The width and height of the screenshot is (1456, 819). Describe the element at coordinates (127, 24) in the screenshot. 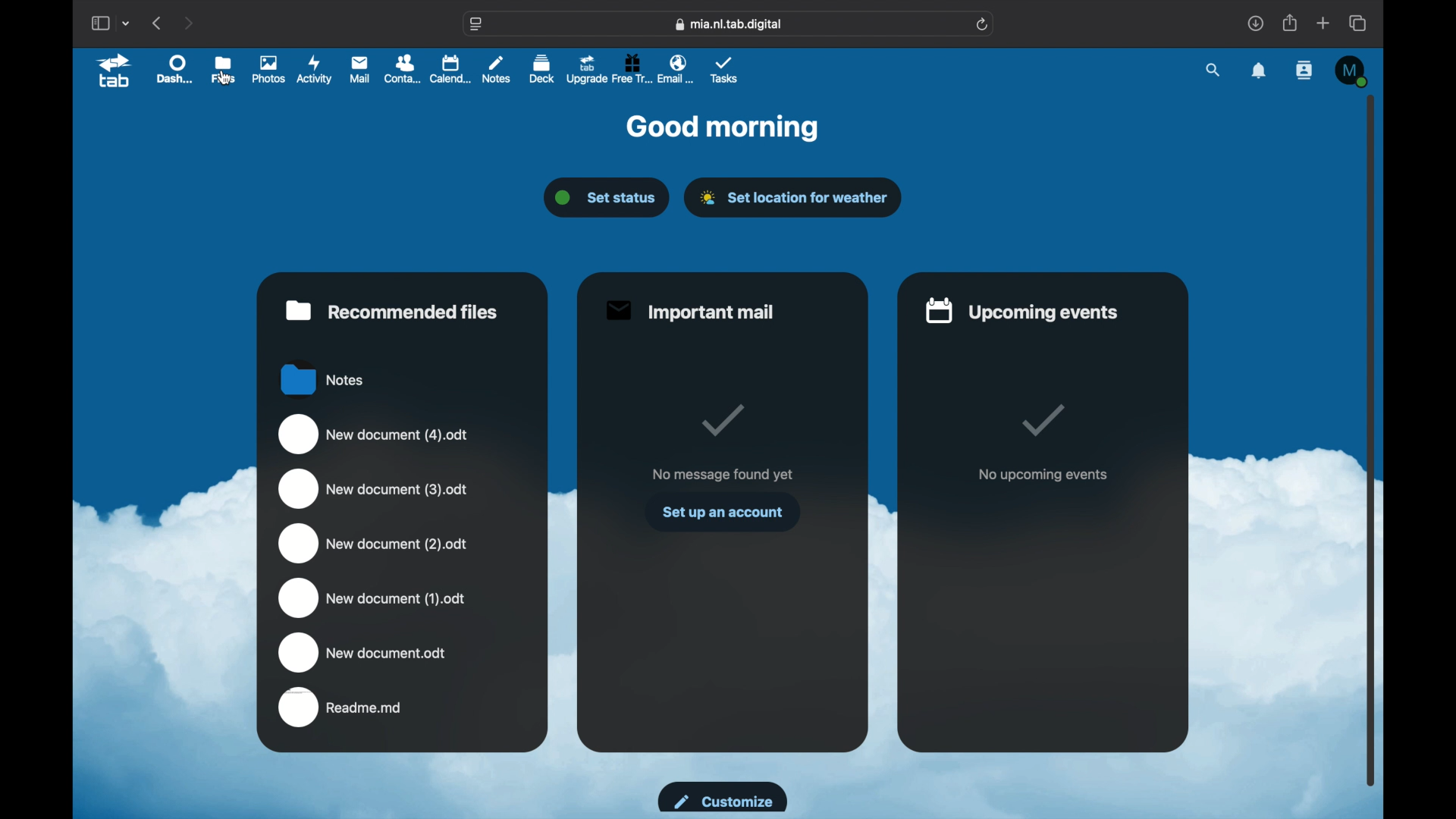

I see `tab group picker` at that location.